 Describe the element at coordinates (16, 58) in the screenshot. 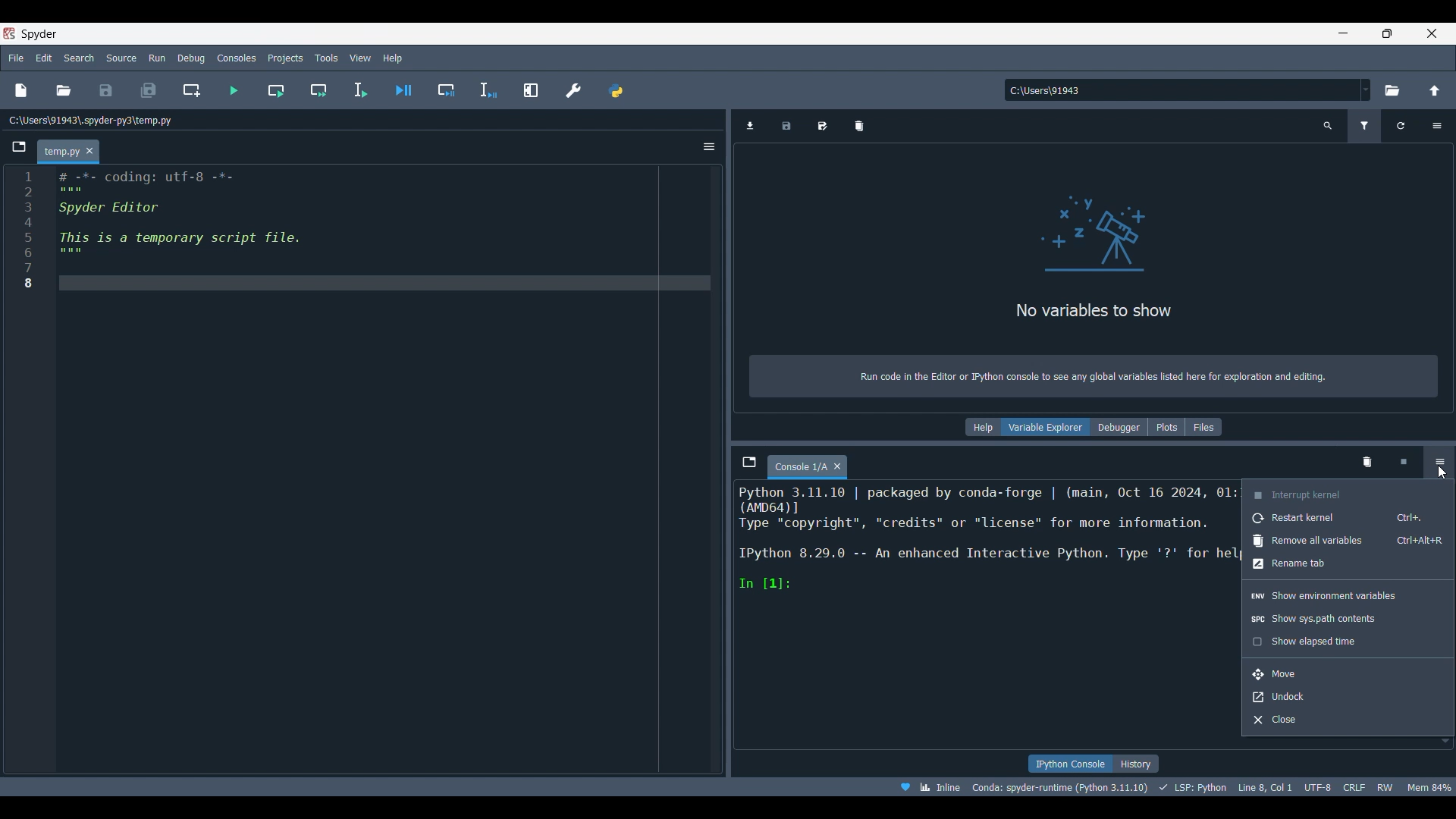

I see `File menu` at that location.